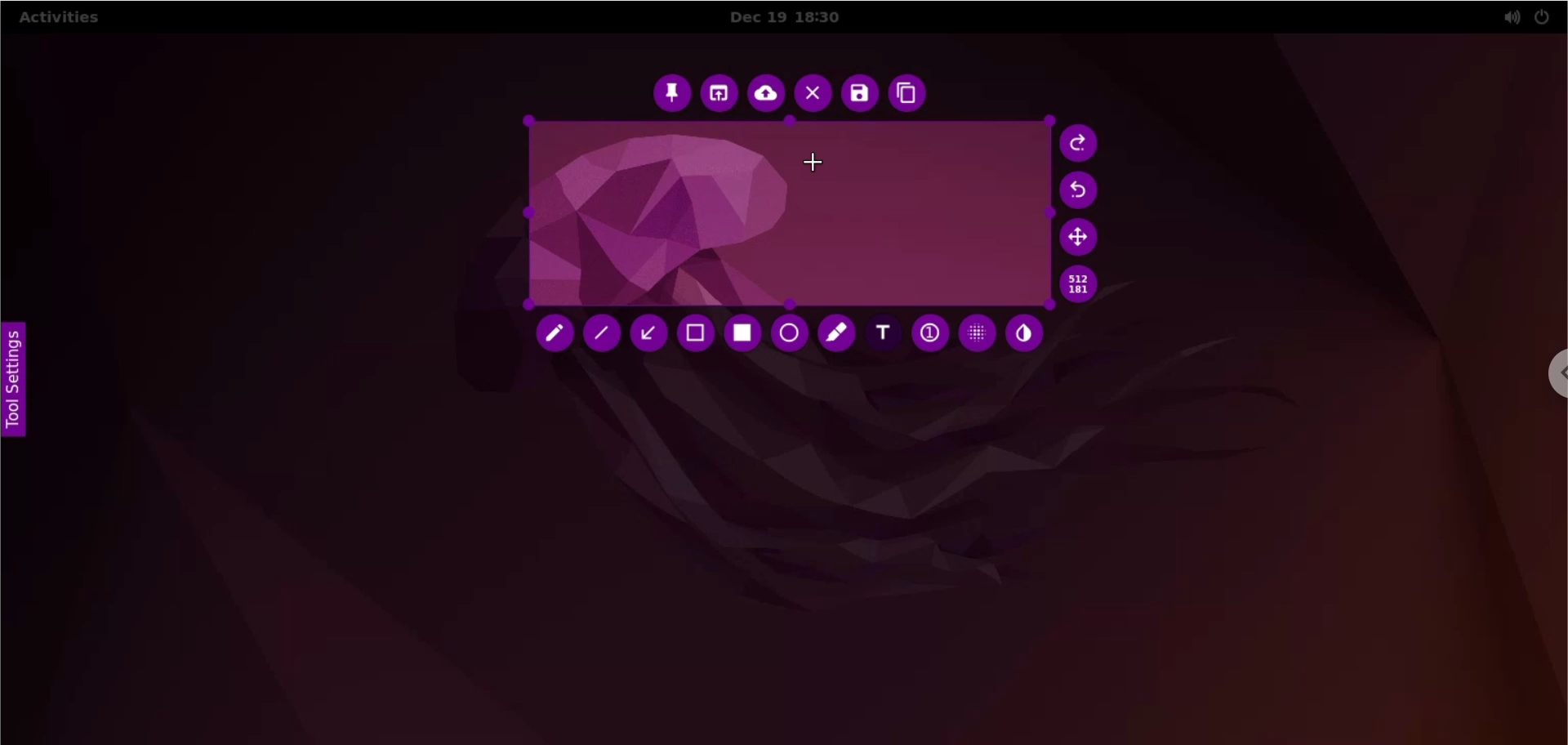  I want to click on rectangle tool, so click(748, 332).